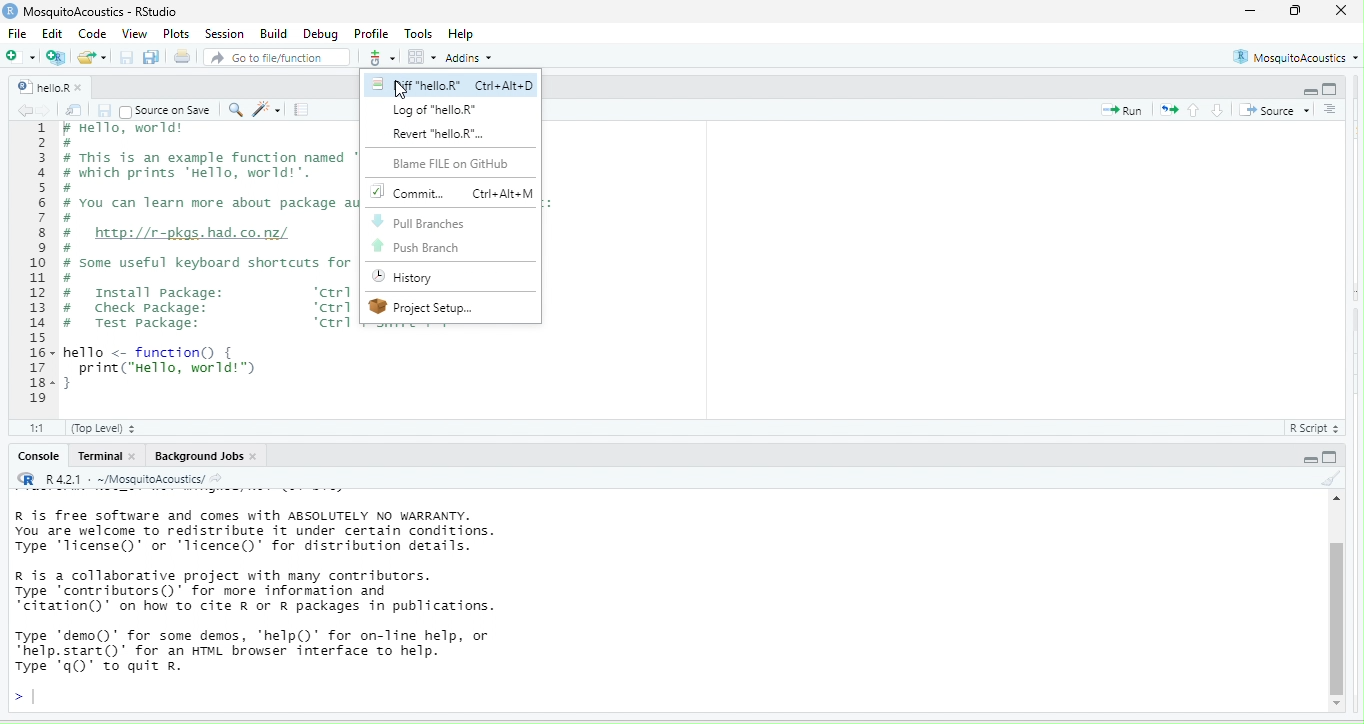 The height and width of the screenshot is (724, 1364). I want to click on go forward to the next source location, so click(50, 110).